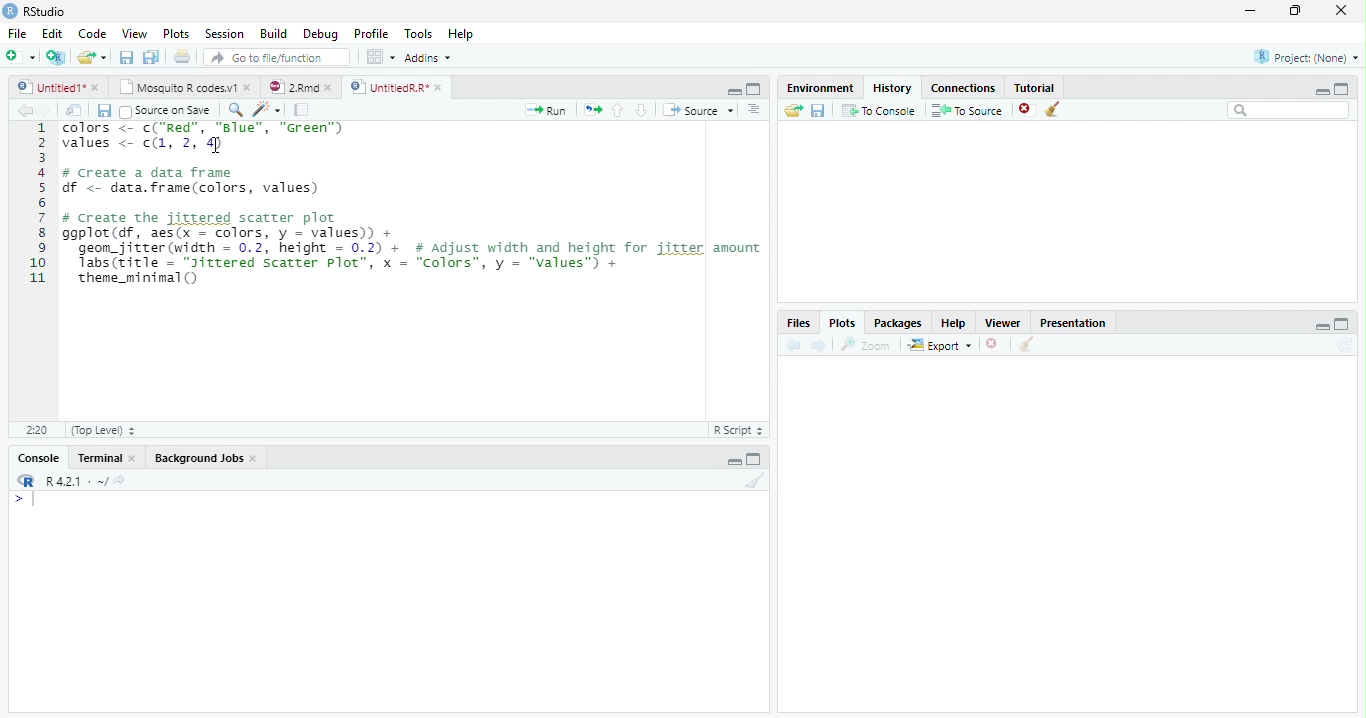  I want to click on Maximize, so click(754, 458).